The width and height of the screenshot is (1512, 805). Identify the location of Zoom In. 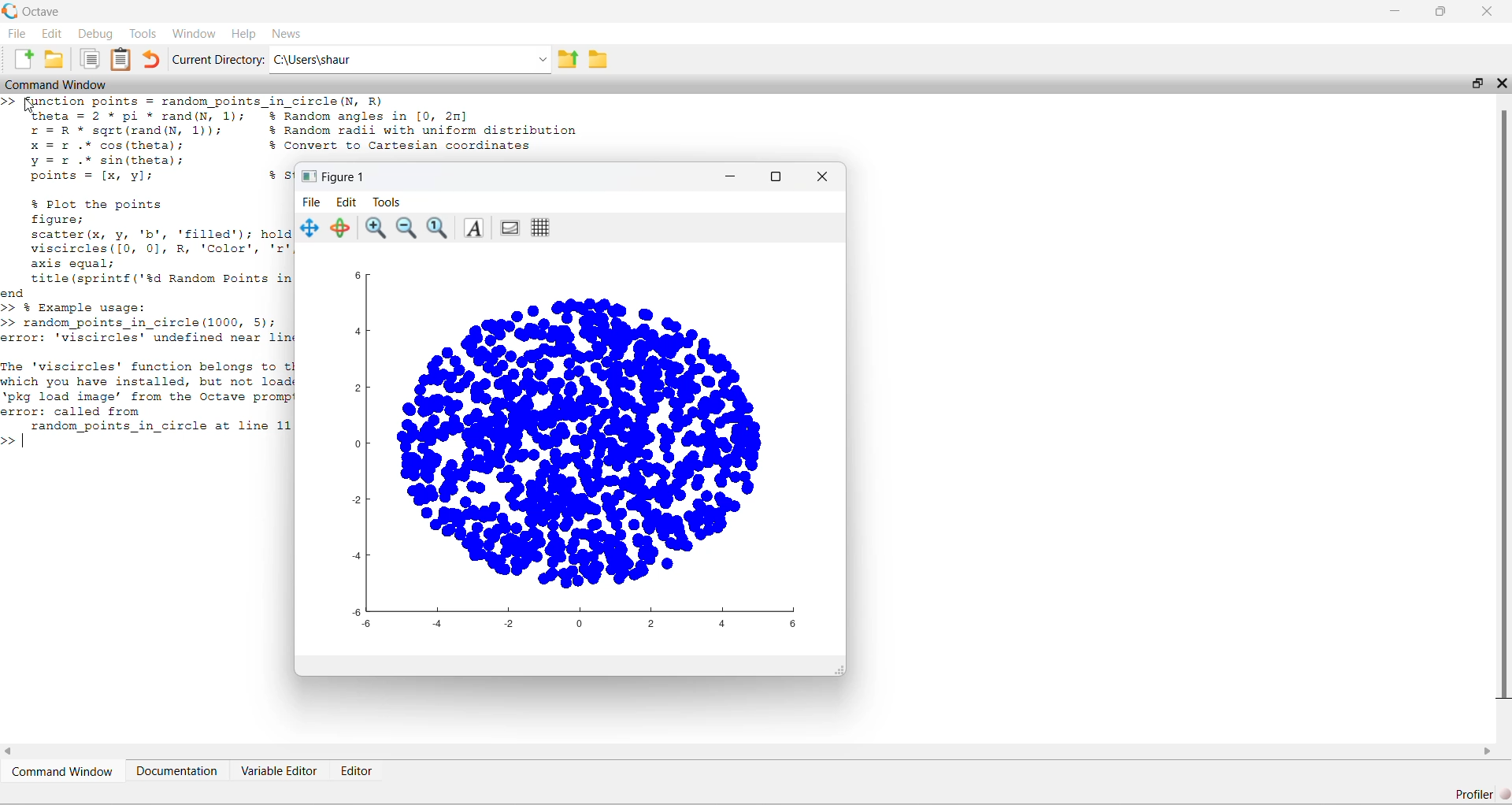
(373, 228).